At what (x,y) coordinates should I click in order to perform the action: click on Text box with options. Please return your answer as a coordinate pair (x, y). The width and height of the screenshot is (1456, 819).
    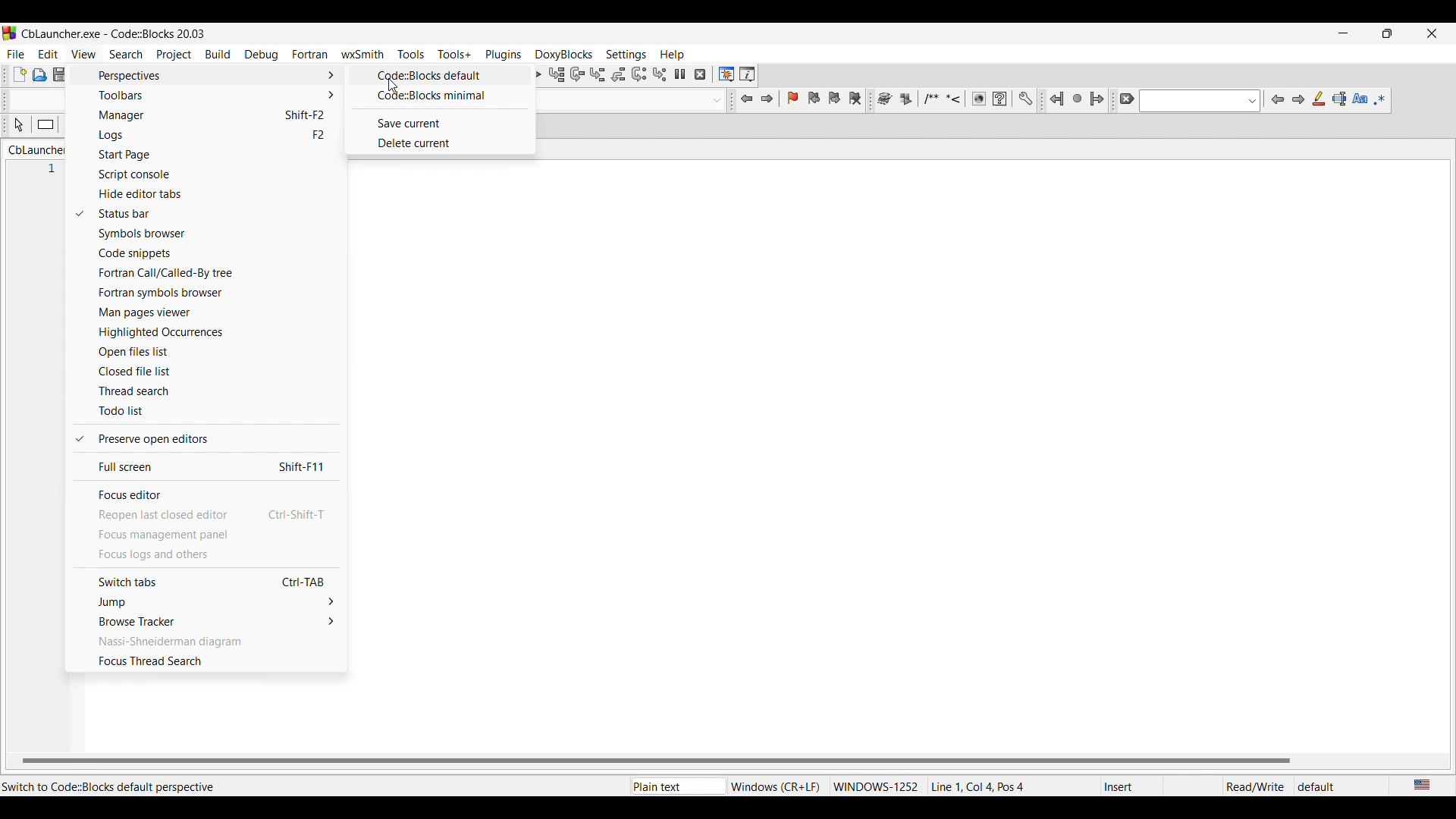
    Looking at the image, I should click on (1199, 101).